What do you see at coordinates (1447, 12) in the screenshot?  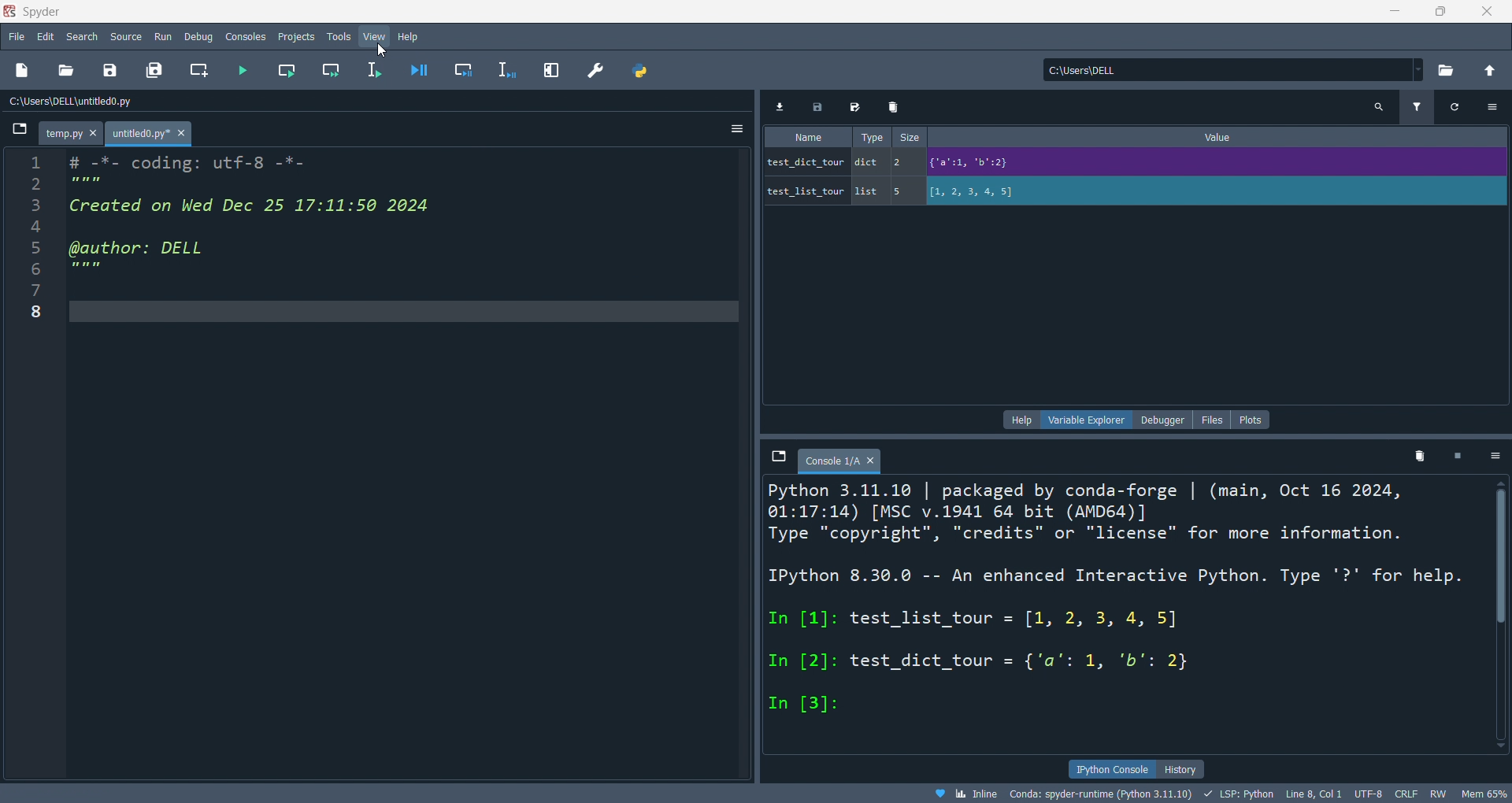 I see `maximize` at bounding box center [1447, 12].